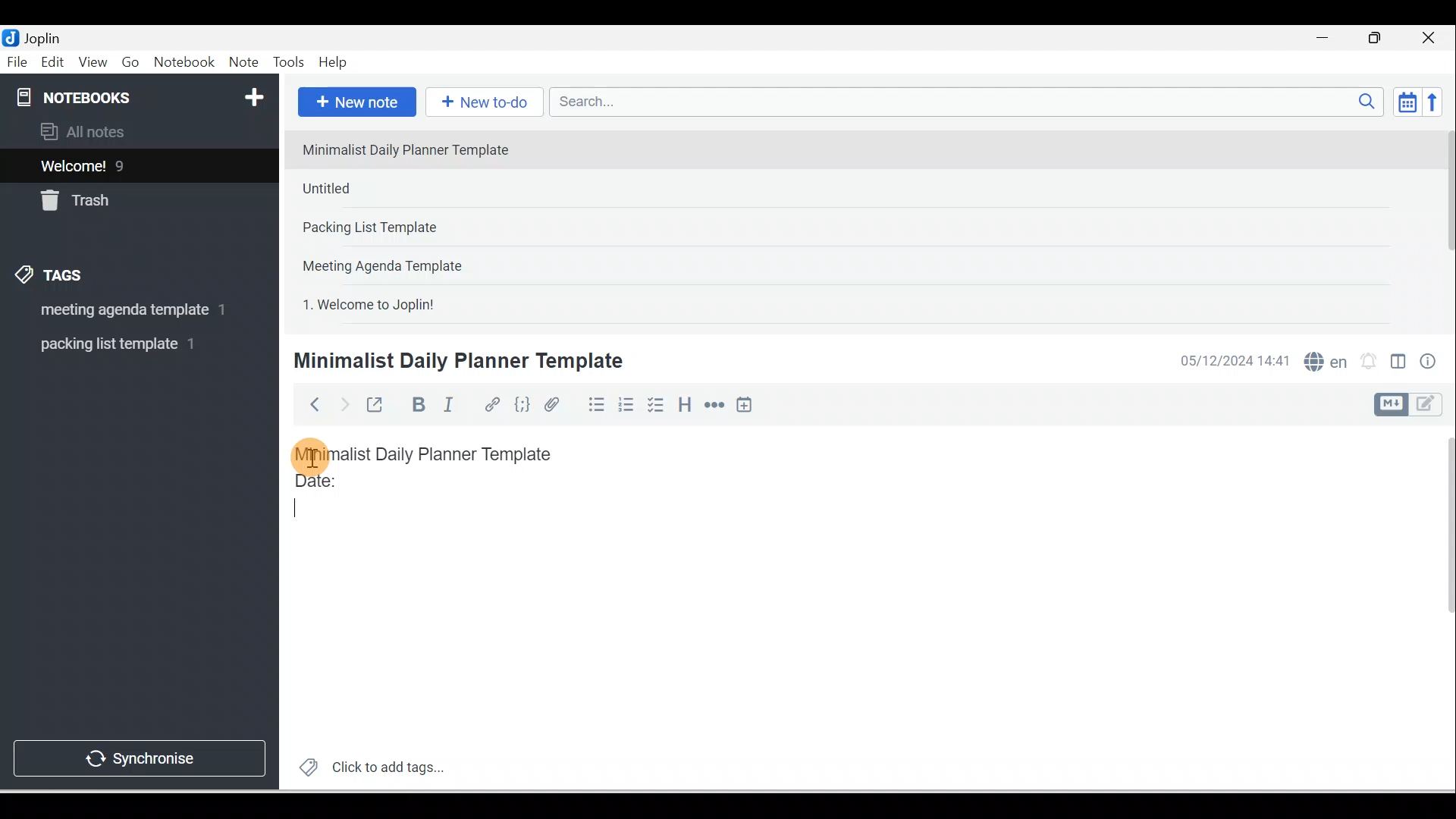 The image size is (1456, 819). I want to click on Horizontal rule, so click(716, 405).